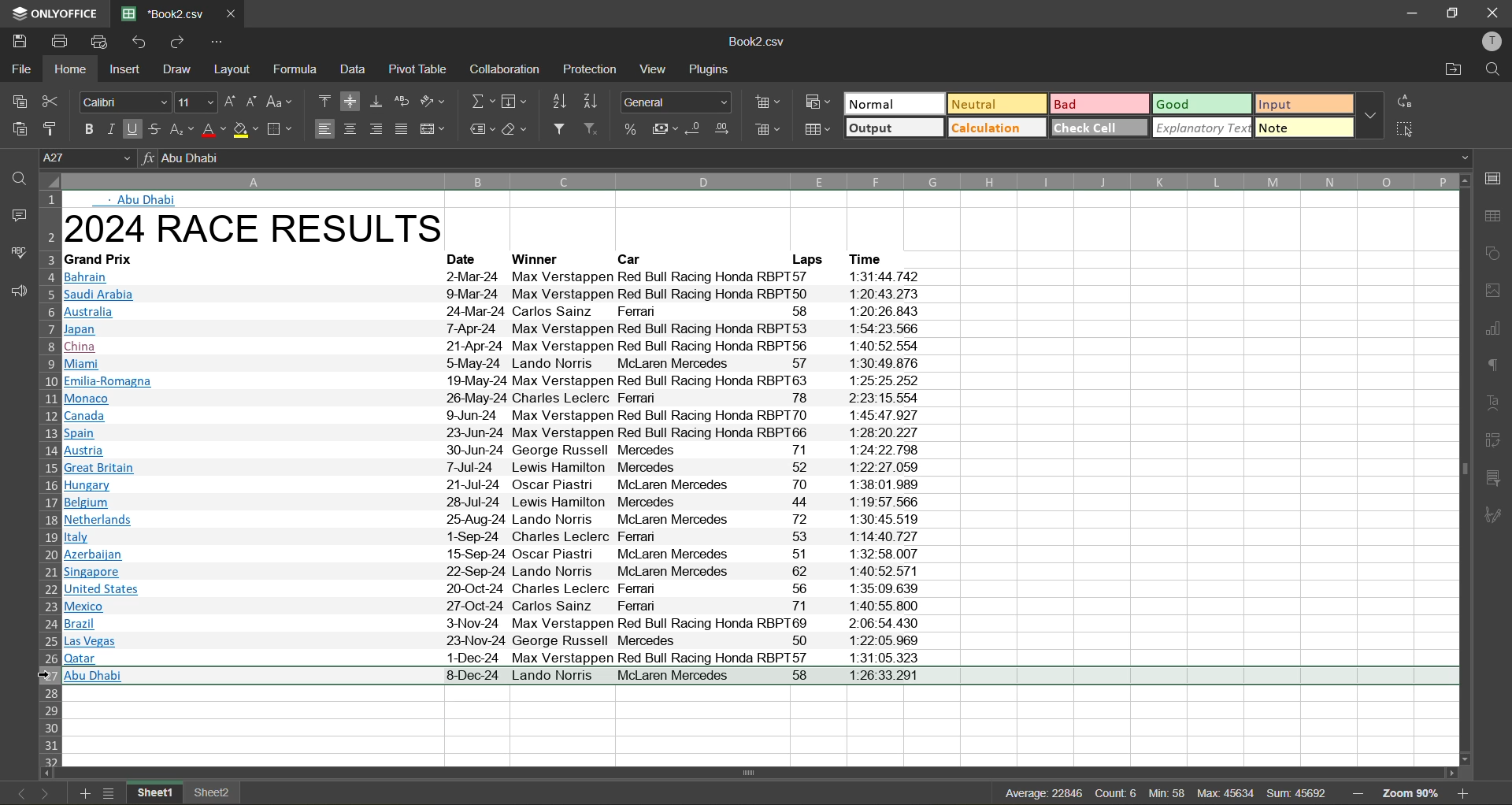  What do you see at coordinates (217, 43) in the screenshot?
I see `options` at bounding box center [217, 43].